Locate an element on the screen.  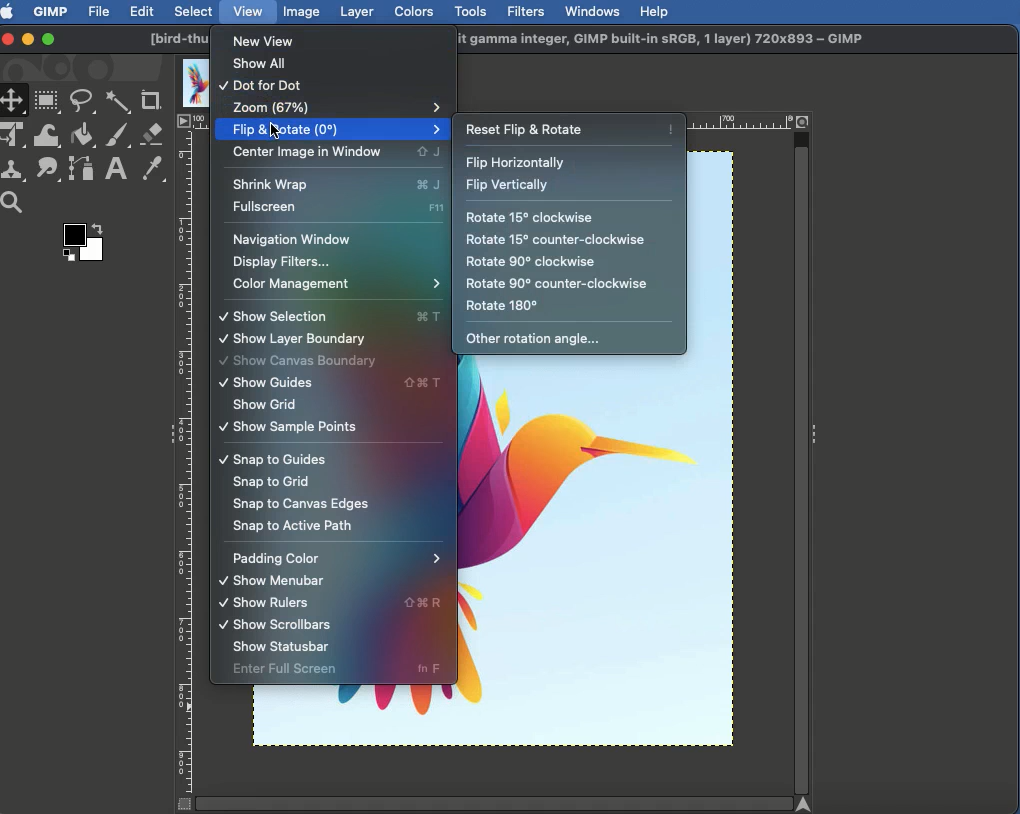
Windows is located at coordinates (591, 11).